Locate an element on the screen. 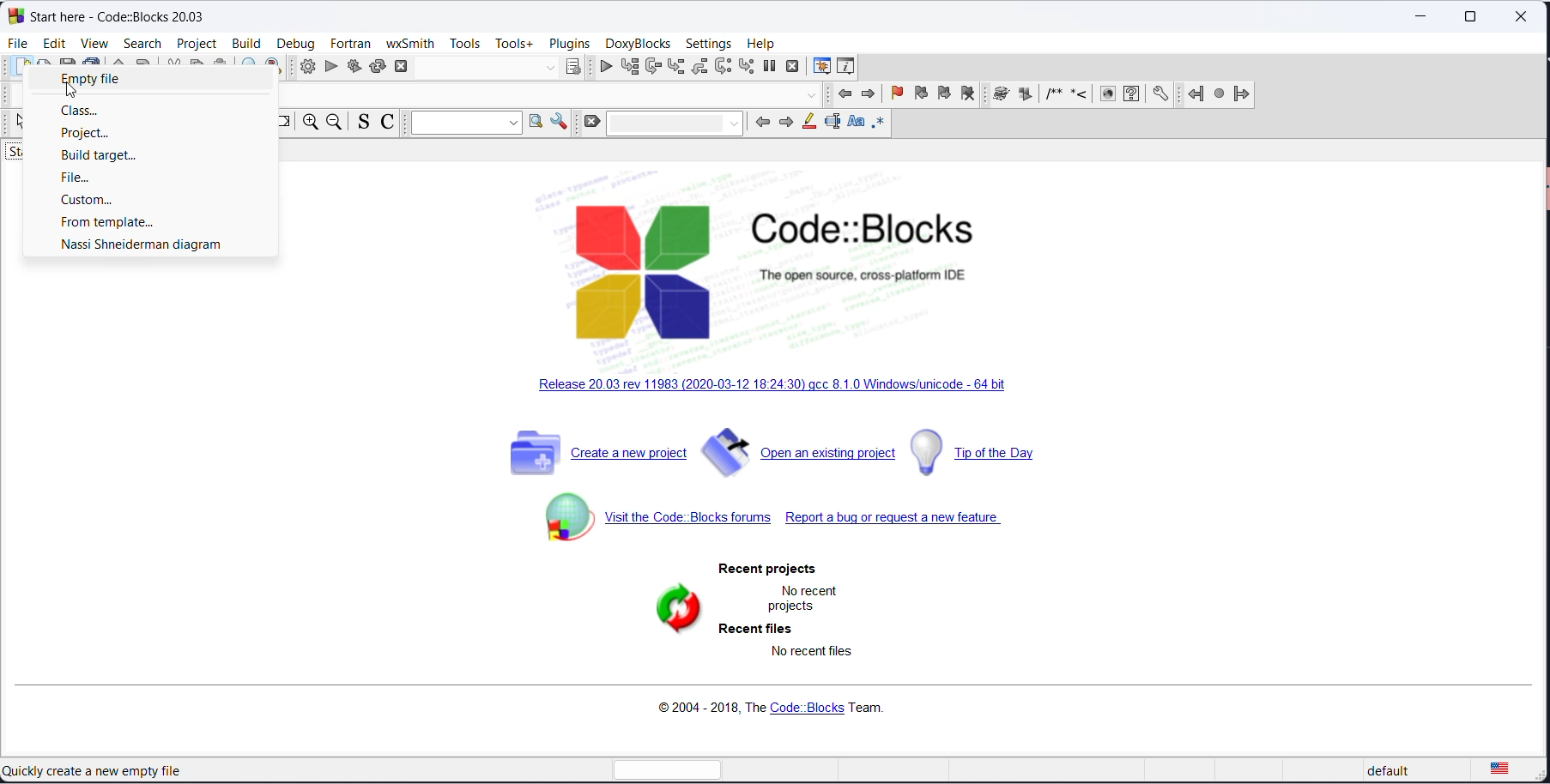 The image size is (1550, 784). zoom in is located at coordinates (307, 124).